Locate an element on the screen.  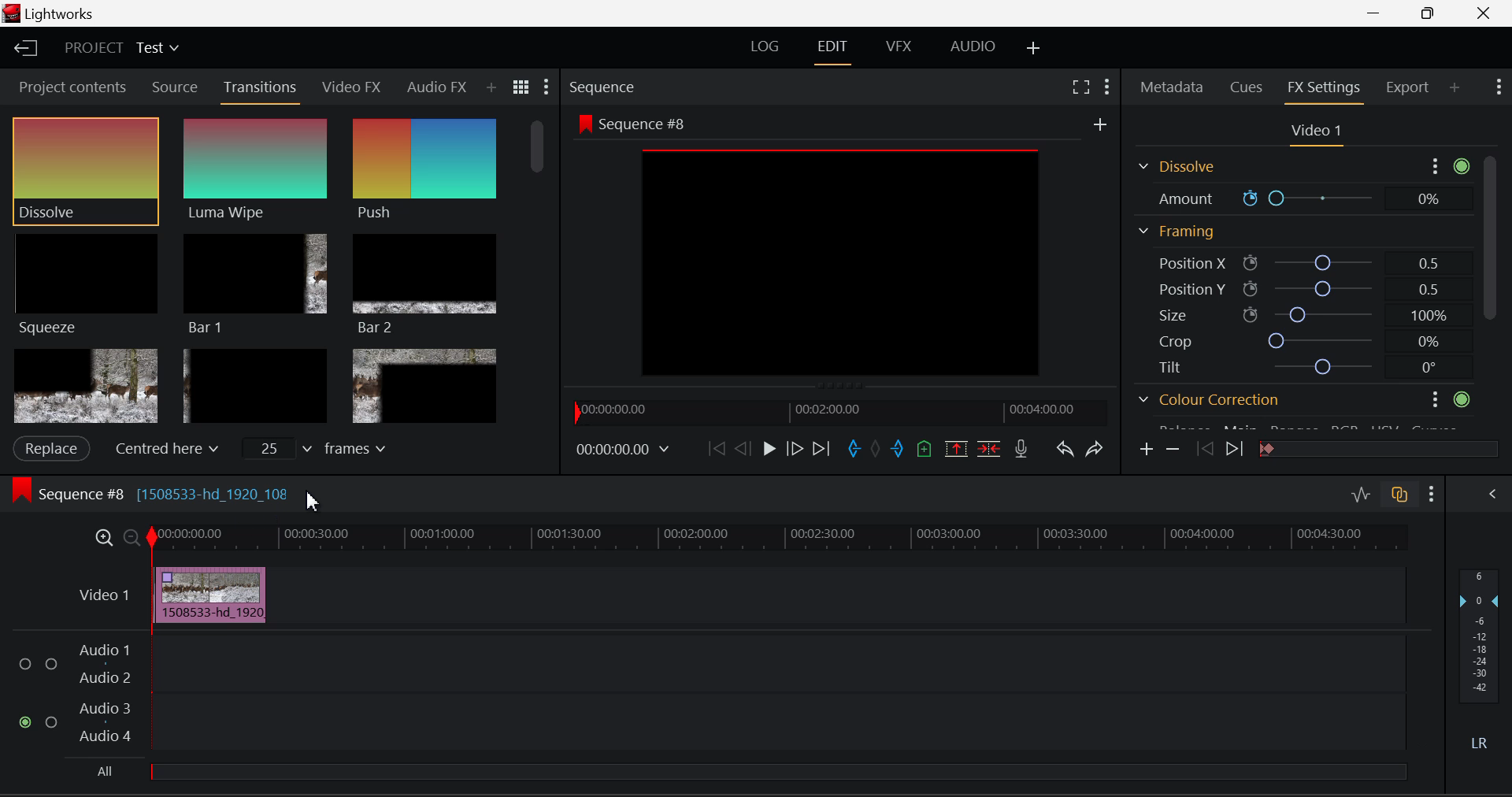
Cursor is located at coordinates (116, 169).